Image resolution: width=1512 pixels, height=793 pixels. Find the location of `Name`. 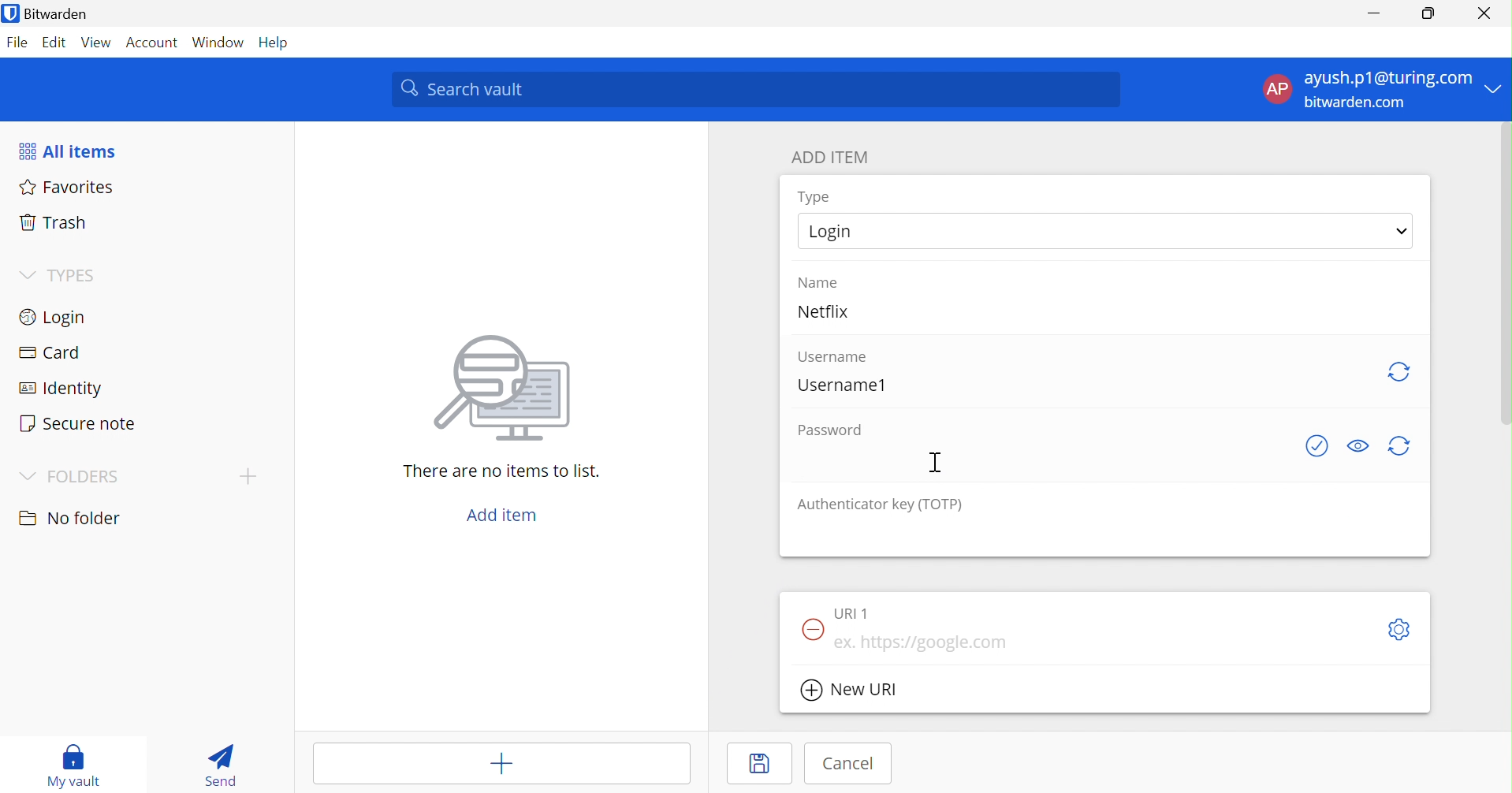

Name is located at coordinates (818, 282).